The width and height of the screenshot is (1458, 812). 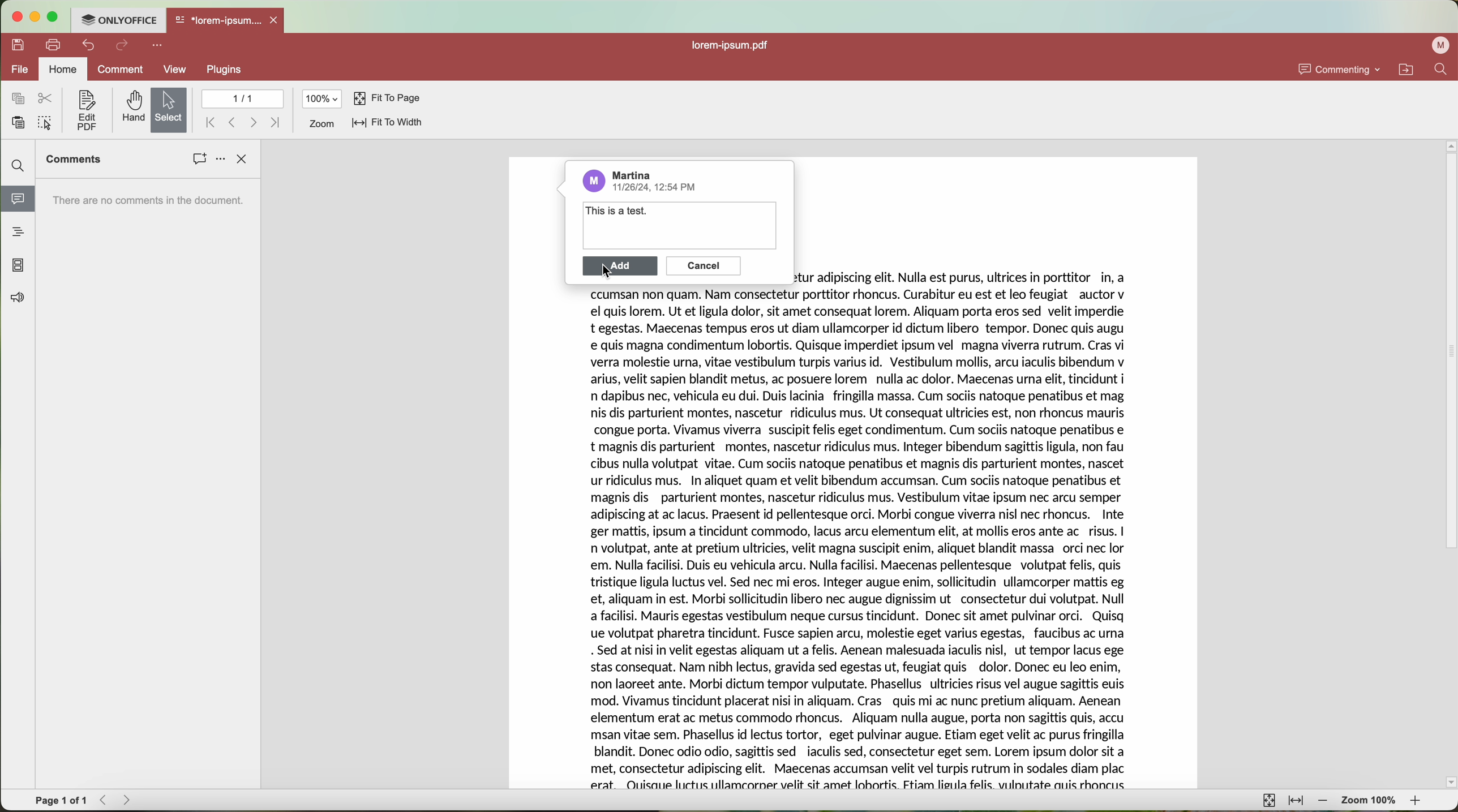 I want to click on navigate locations, so click(x=1410, y=69).